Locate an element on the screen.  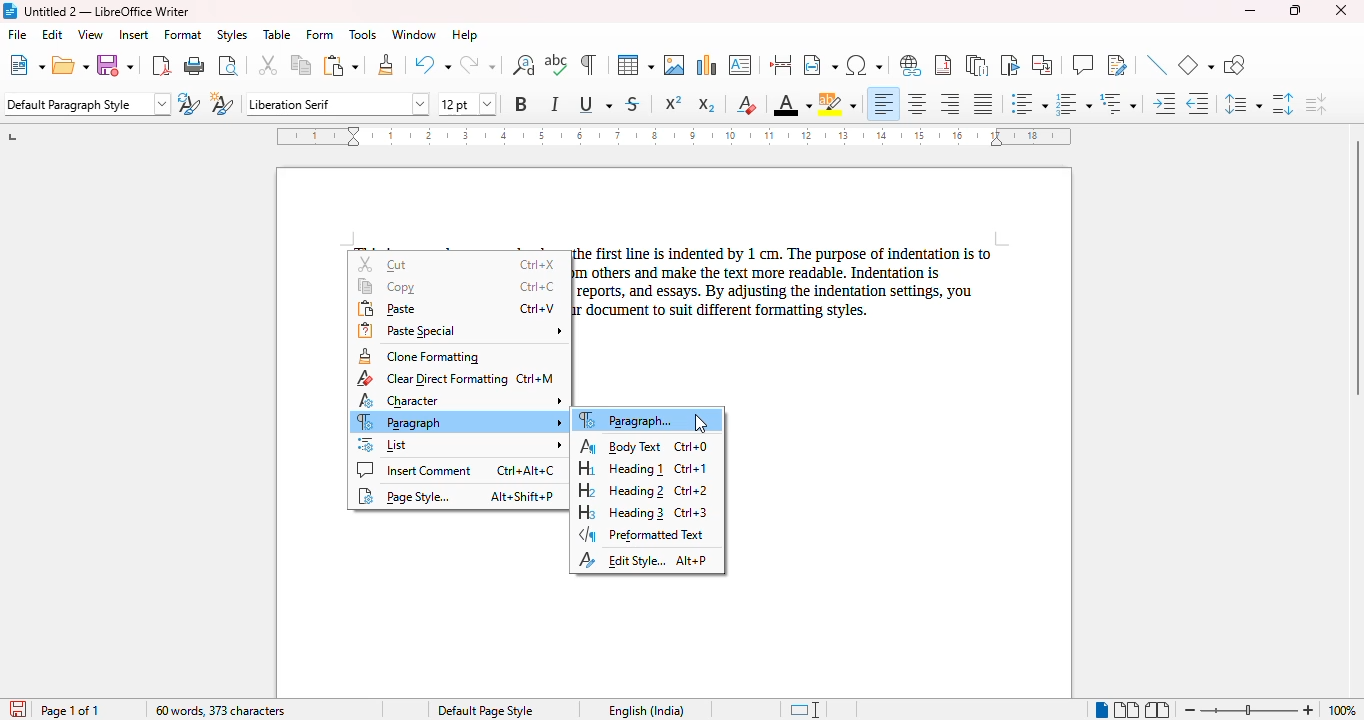
insert hyperlink is located at coordinates (911, 66).